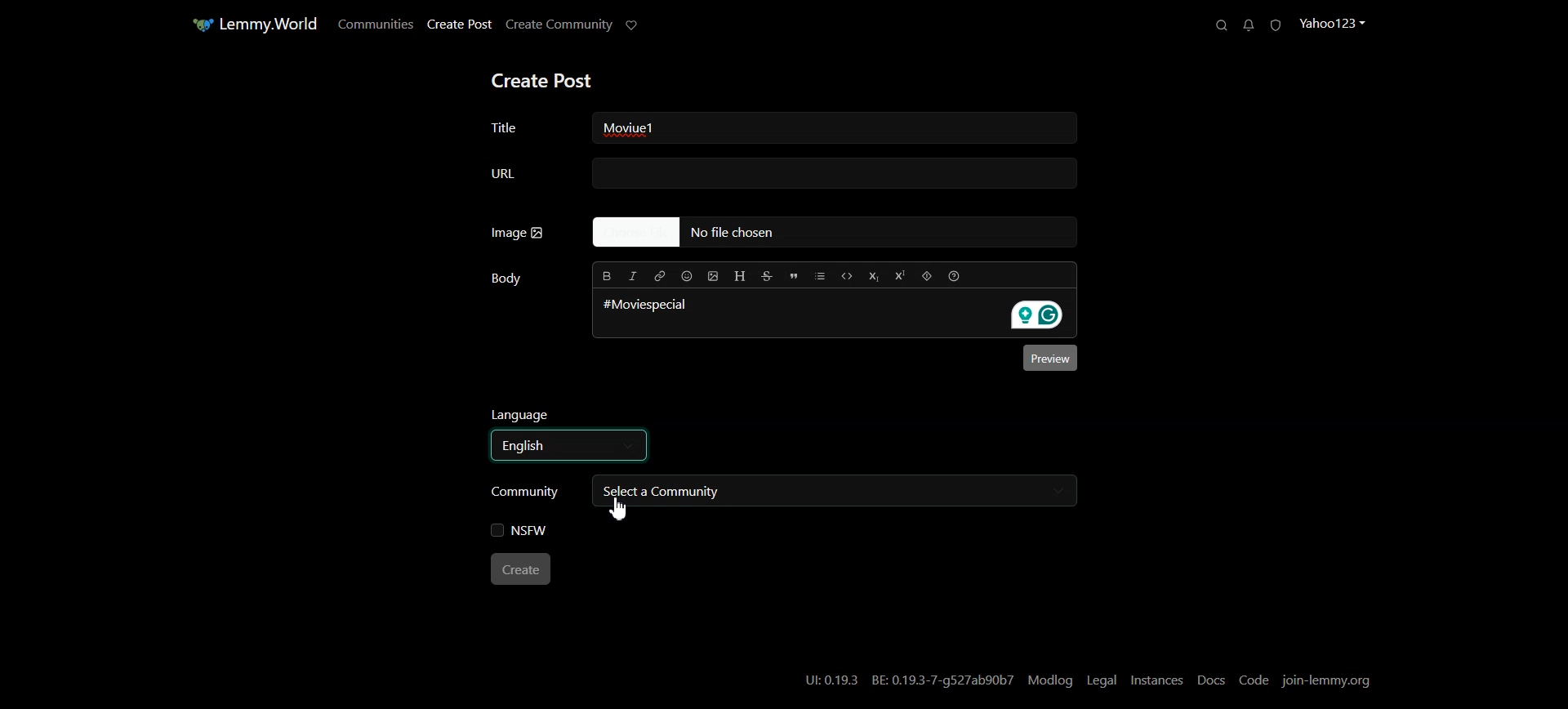  I want to click on Community, so click(526, 493).